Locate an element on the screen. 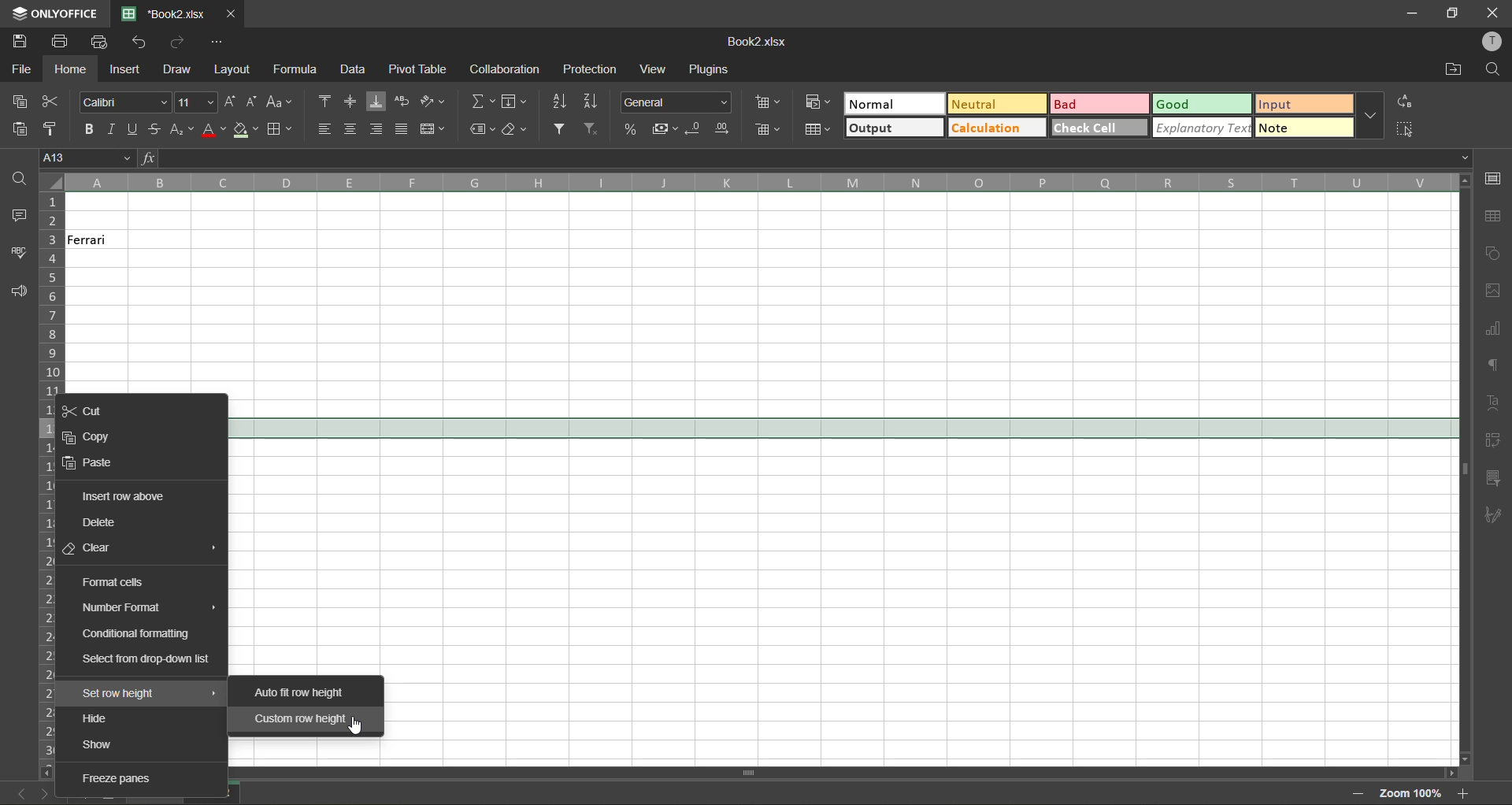 The image size is (1512, 805). open location is located at coordinates (1453, 72).